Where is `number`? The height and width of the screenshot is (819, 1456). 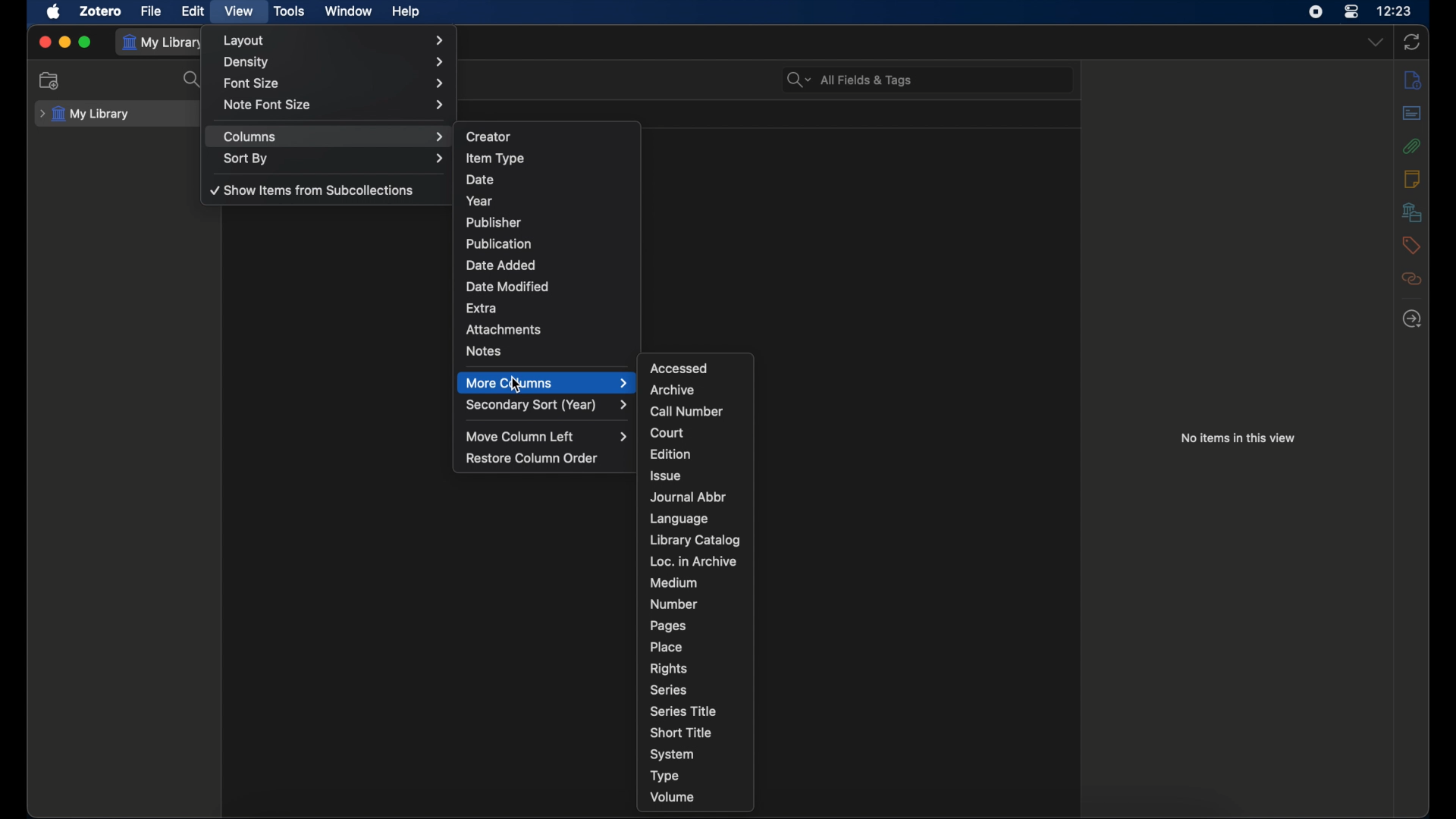 number is located at coordinates (674, 604).